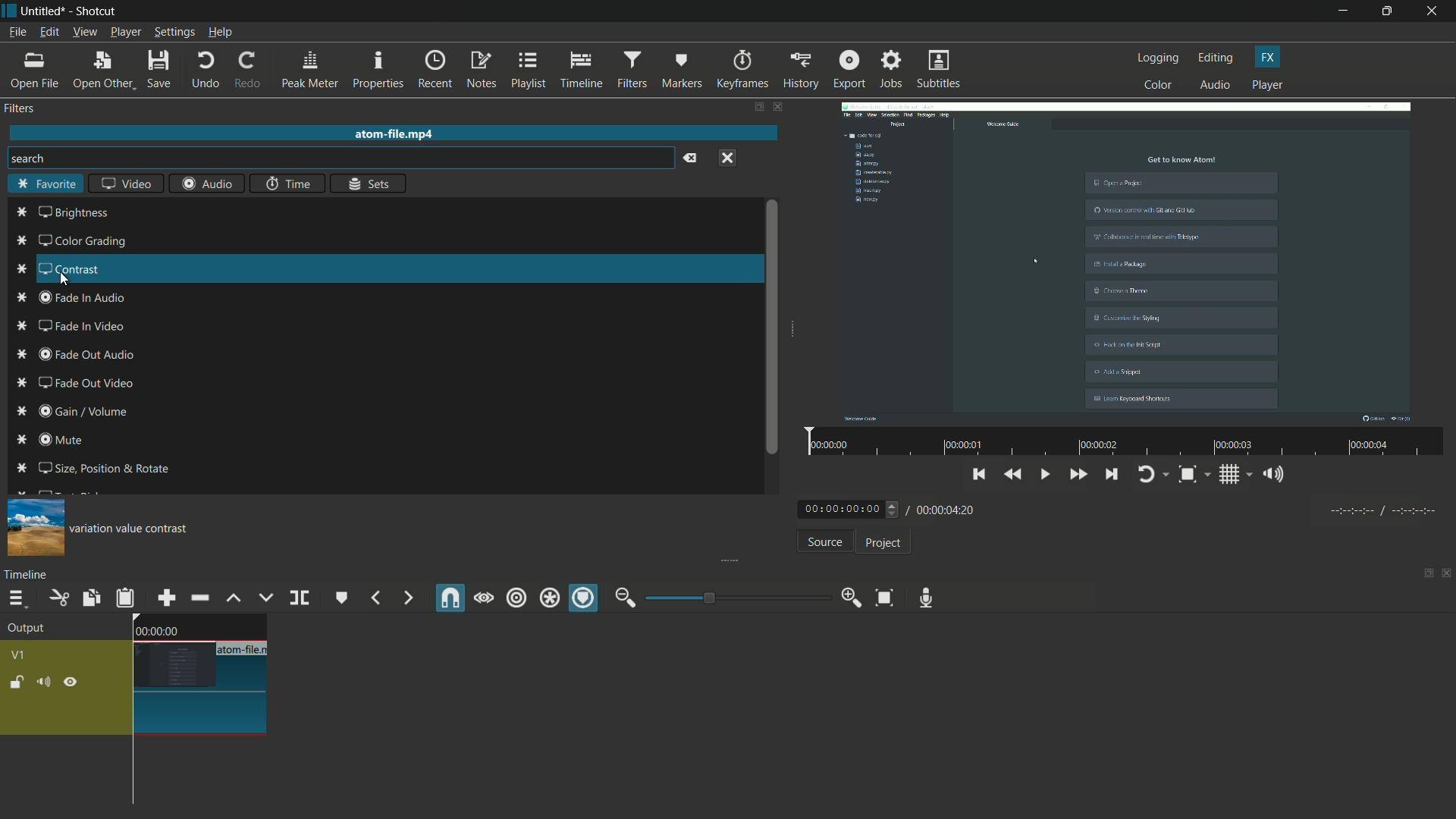 The width and height of the screenshot is (1456, 819). What do you see at coordinates (70, 326) in the screenshot?
I see `fade in video` at bounding box center [70, 326].